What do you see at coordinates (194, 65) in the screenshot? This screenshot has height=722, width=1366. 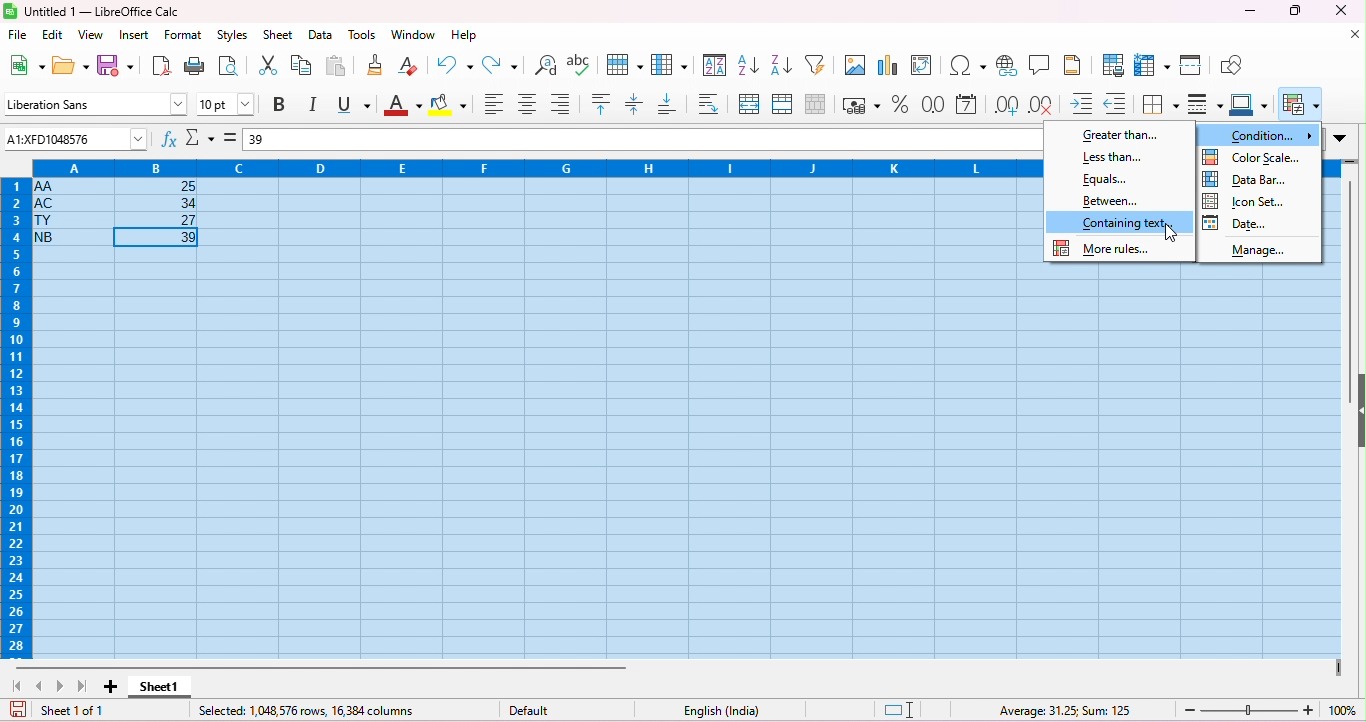 I see `print` at bounding box center [194, 65].